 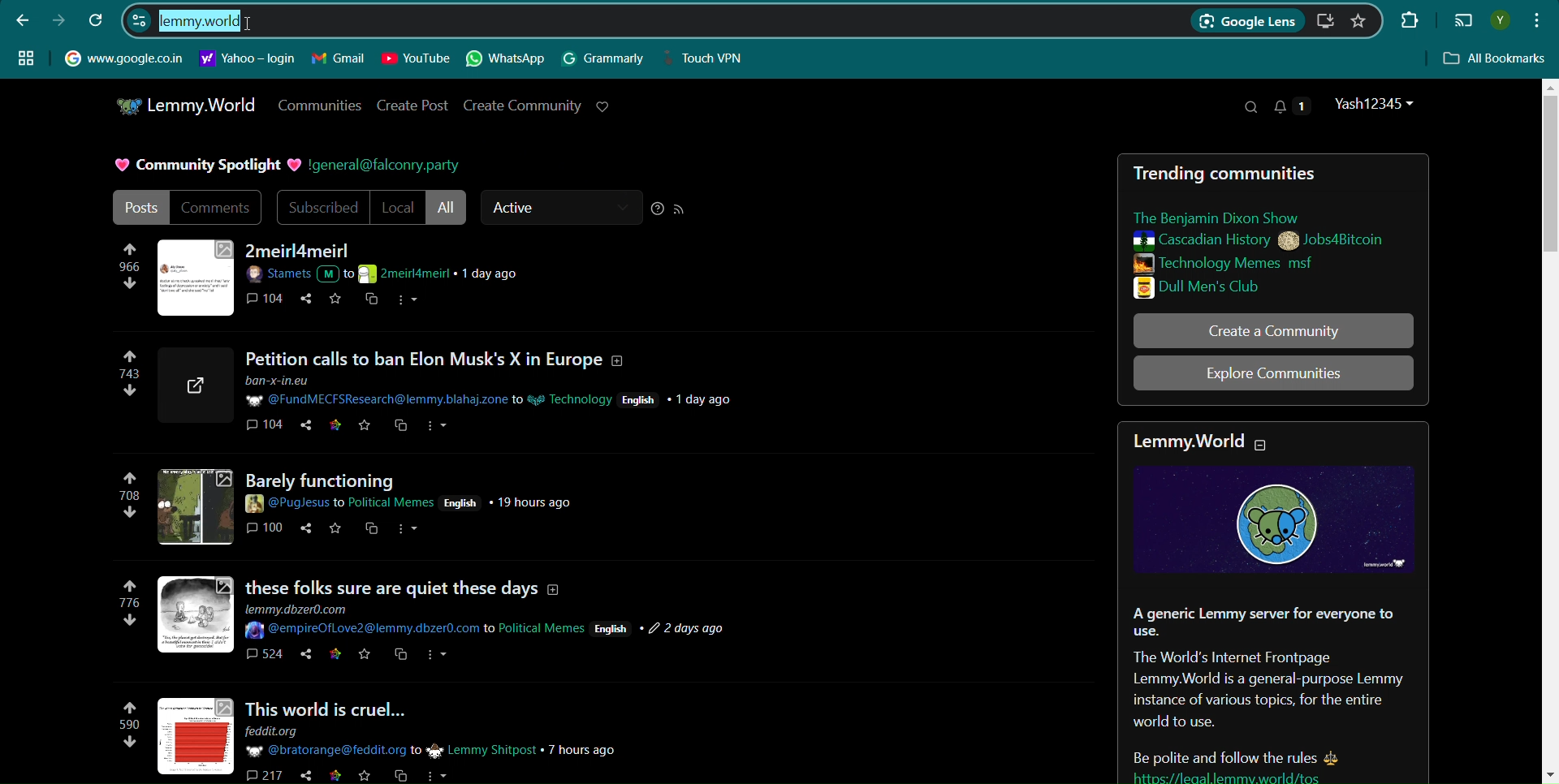 I want to click on The Benjamin Dixon Show, so click(x=1234, y=218).